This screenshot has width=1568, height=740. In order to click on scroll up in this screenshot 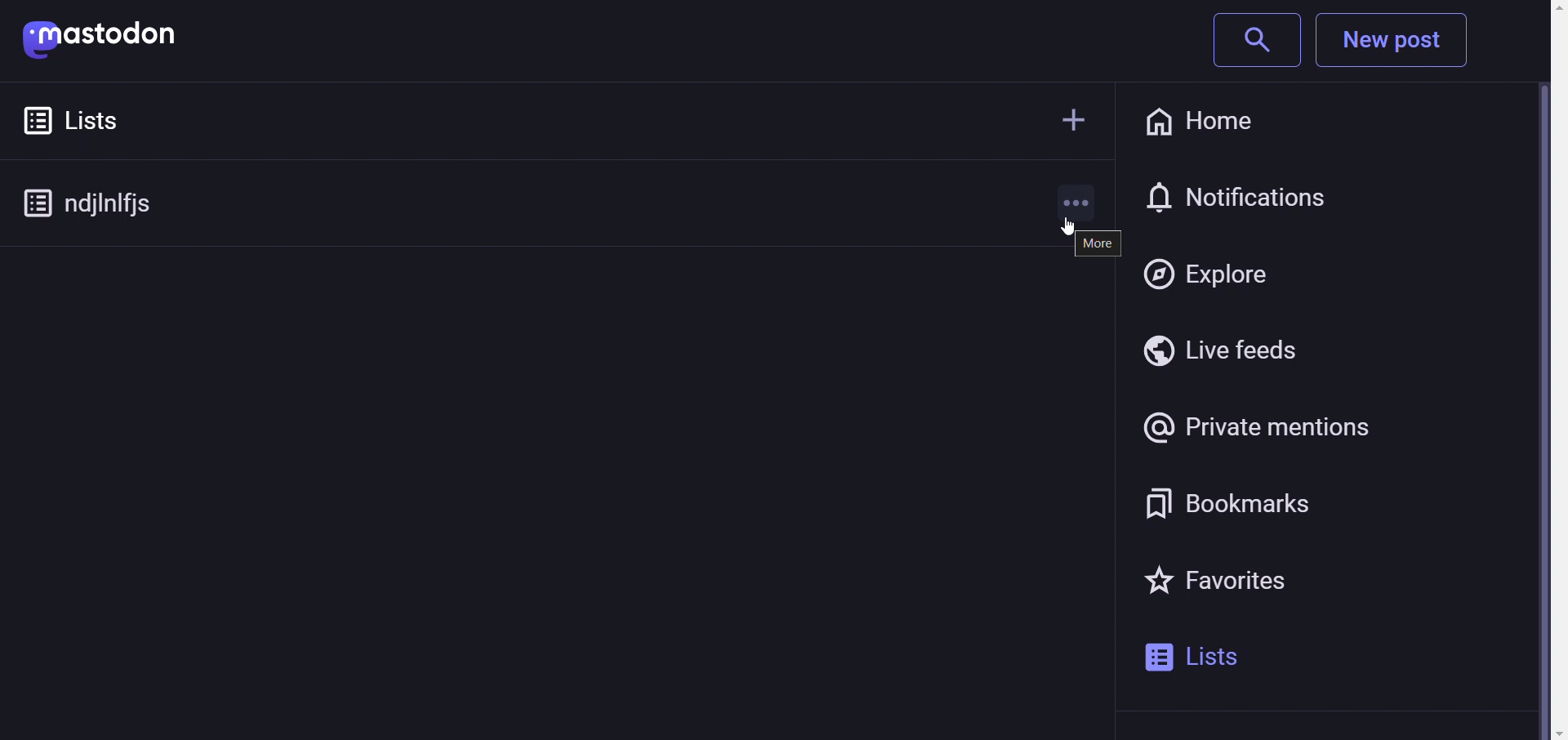, I will do `click(1543, 9)`.